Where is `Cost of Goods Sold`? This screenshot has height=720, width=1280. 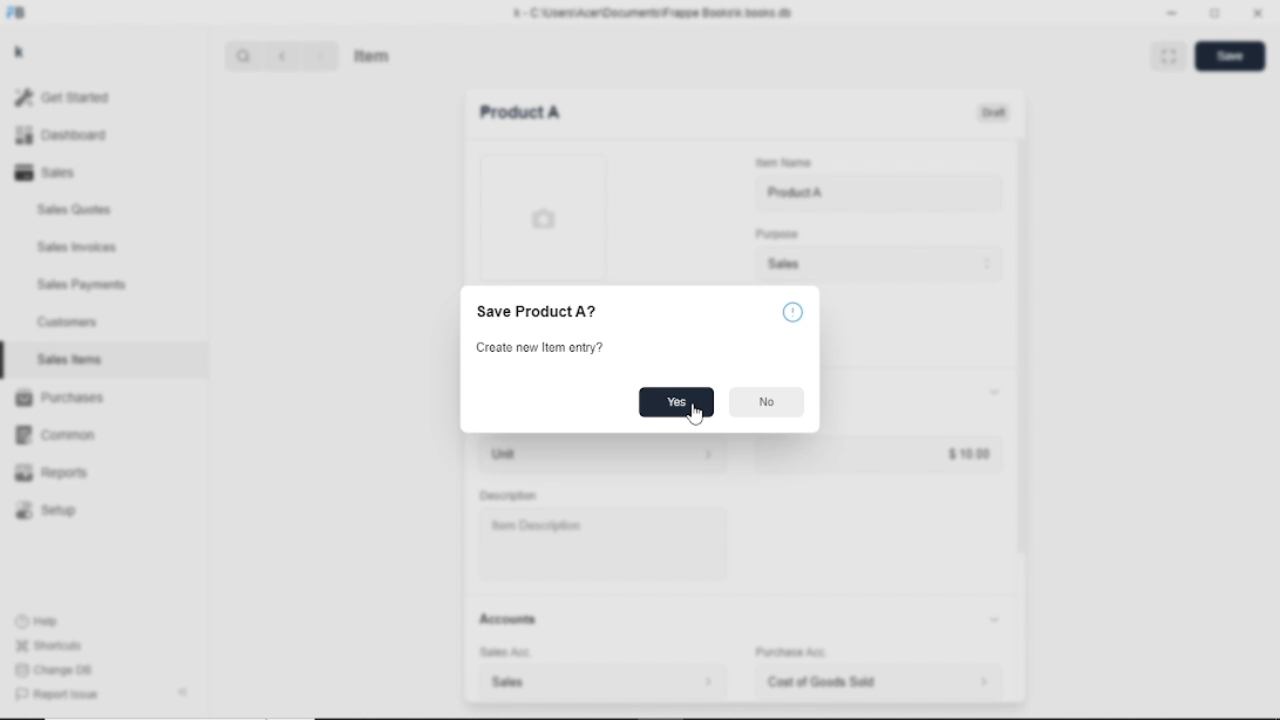 Cost of Goods Sold is located at coordinates (884, 682).